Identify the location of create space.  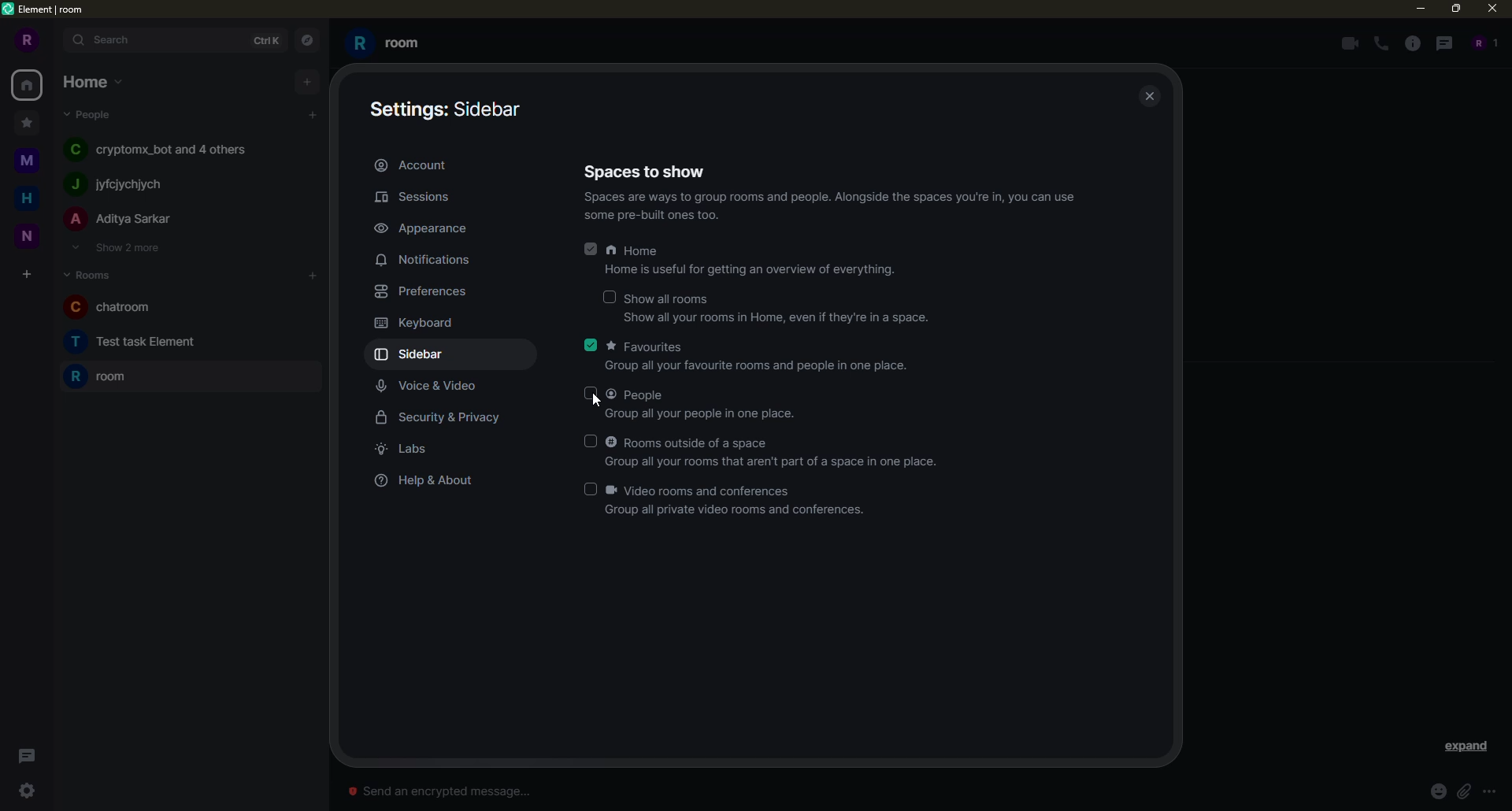
(27, 274).